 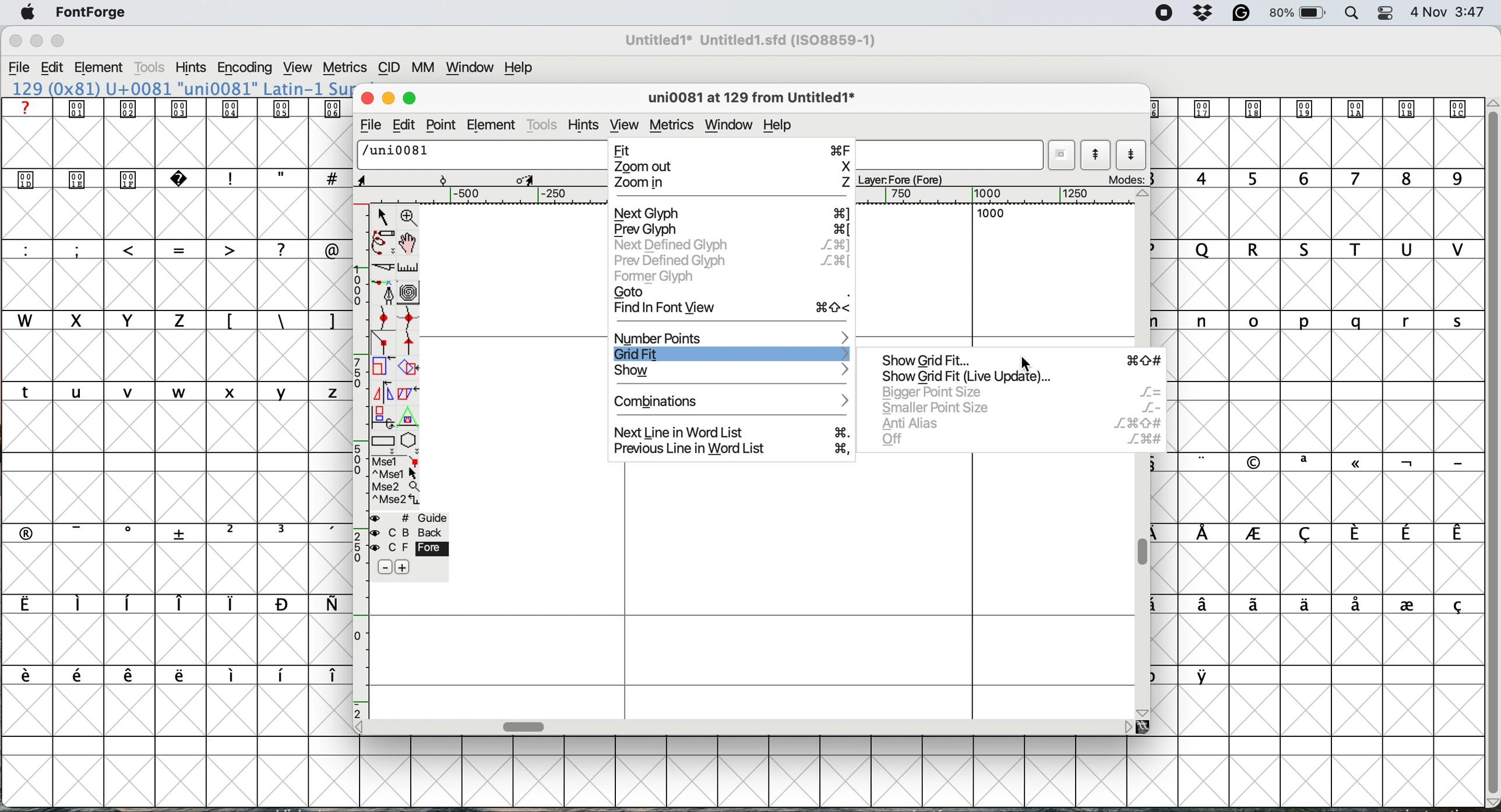 I want to click on point, so click(x=440, y=125).